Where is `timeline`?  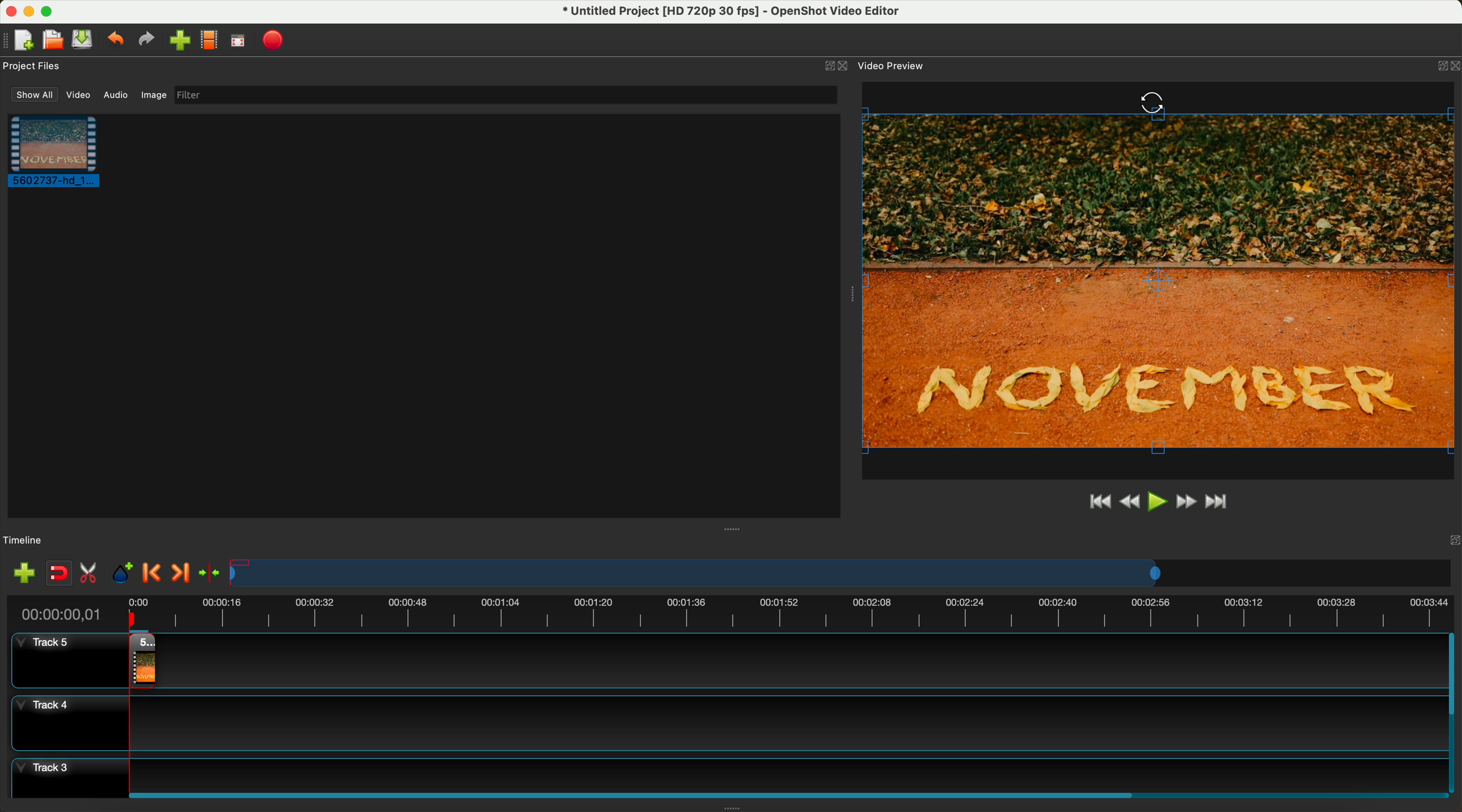
timeline is located at coordinates (24, 541).